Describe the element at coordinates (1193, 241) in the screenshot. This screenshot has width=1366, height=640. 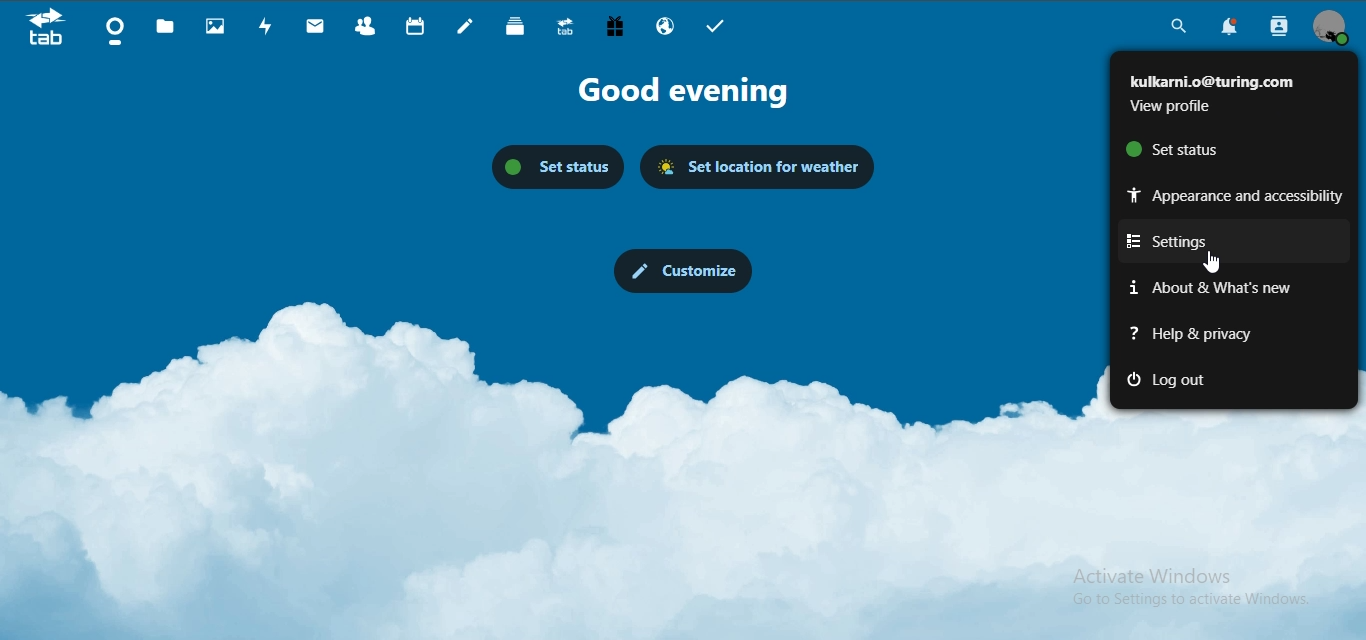
I see `settings` at that location.